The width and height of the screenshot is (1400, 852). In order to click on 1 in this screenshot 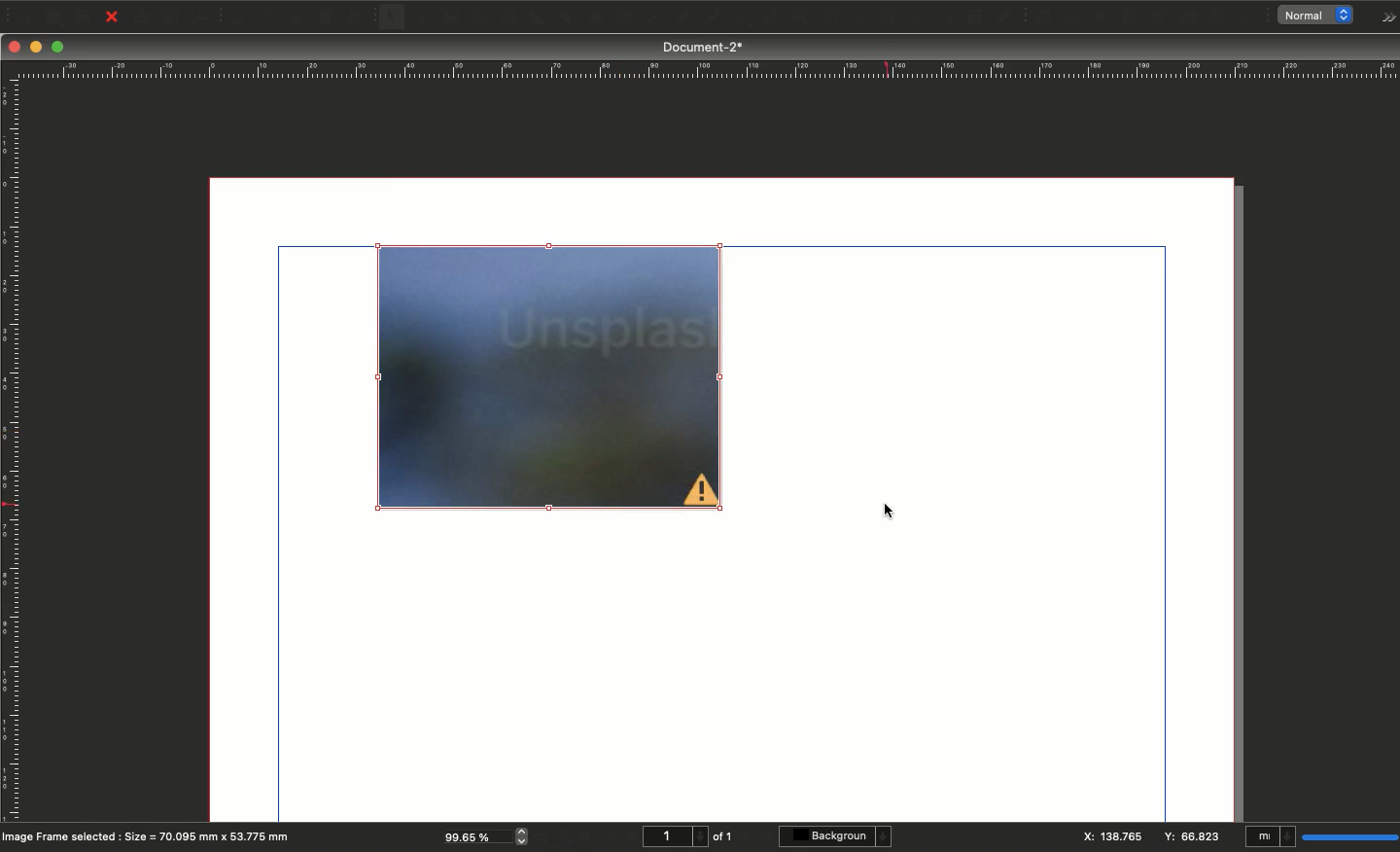, I will do `click(673, 836)`.